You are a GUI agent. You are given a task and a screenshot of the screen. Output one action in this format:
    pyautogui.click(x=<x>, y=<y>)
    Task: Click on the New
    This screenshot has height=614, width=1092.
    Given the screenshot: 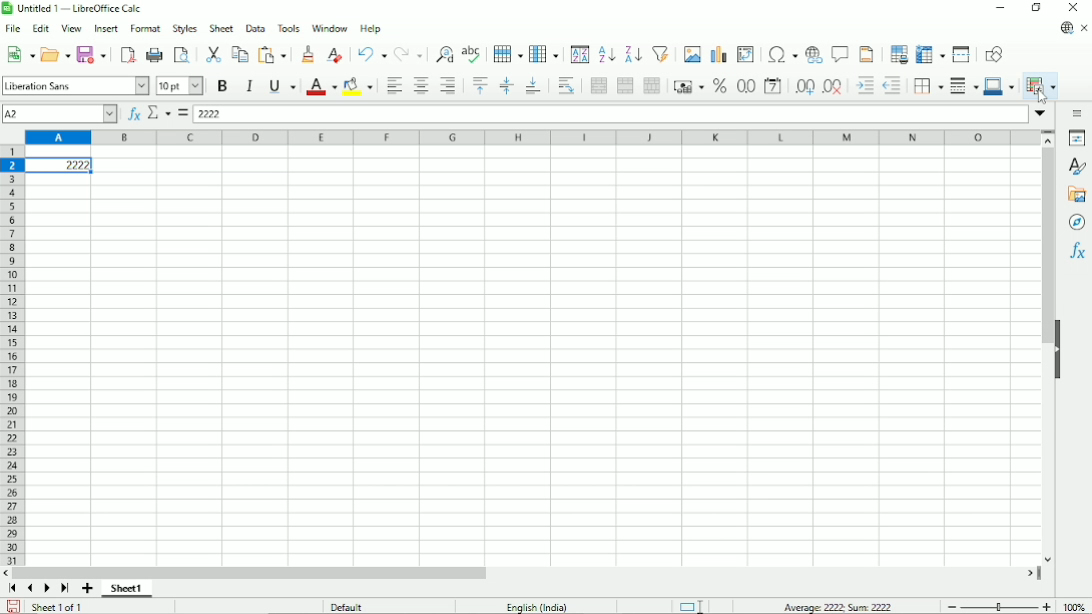 What is the action you would take?
    pyautogui.click(x=19, y=54)
    